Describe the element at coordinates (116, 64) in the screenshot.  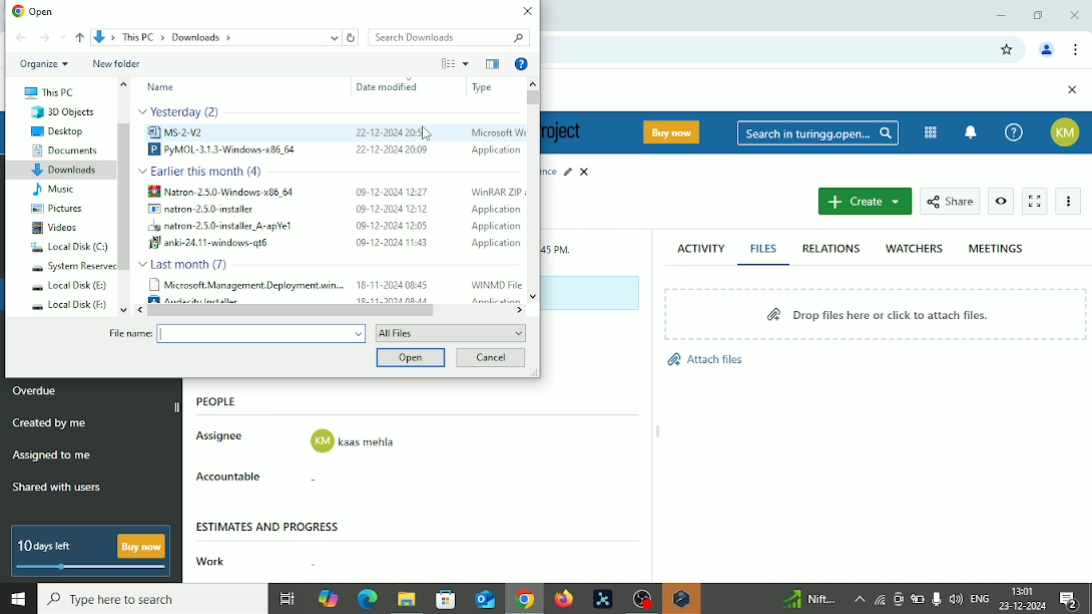
I see `New folder` at that location.